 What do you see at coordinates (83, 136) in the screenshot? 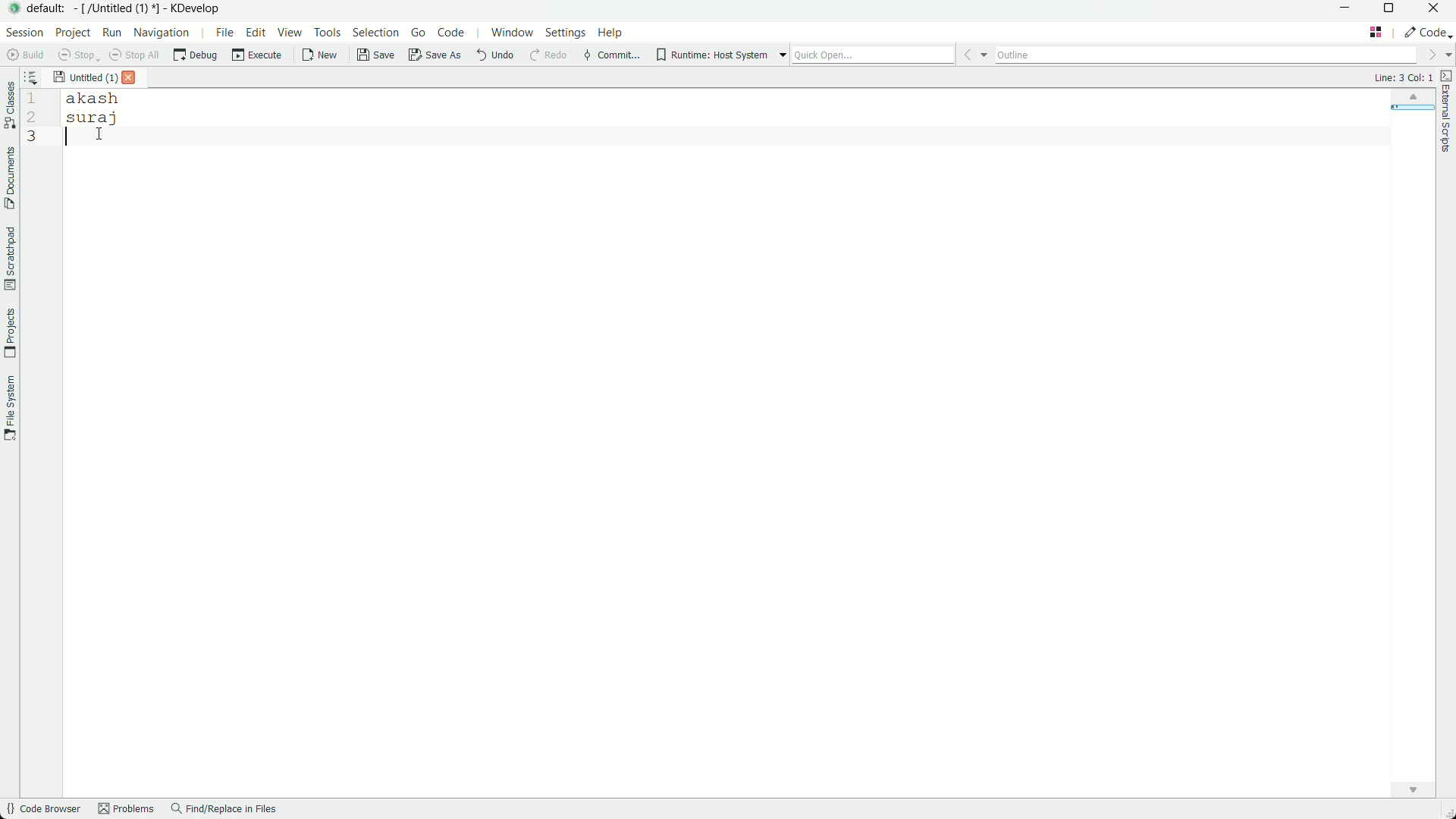
I see `cursor` at bounding box center [83, 136].